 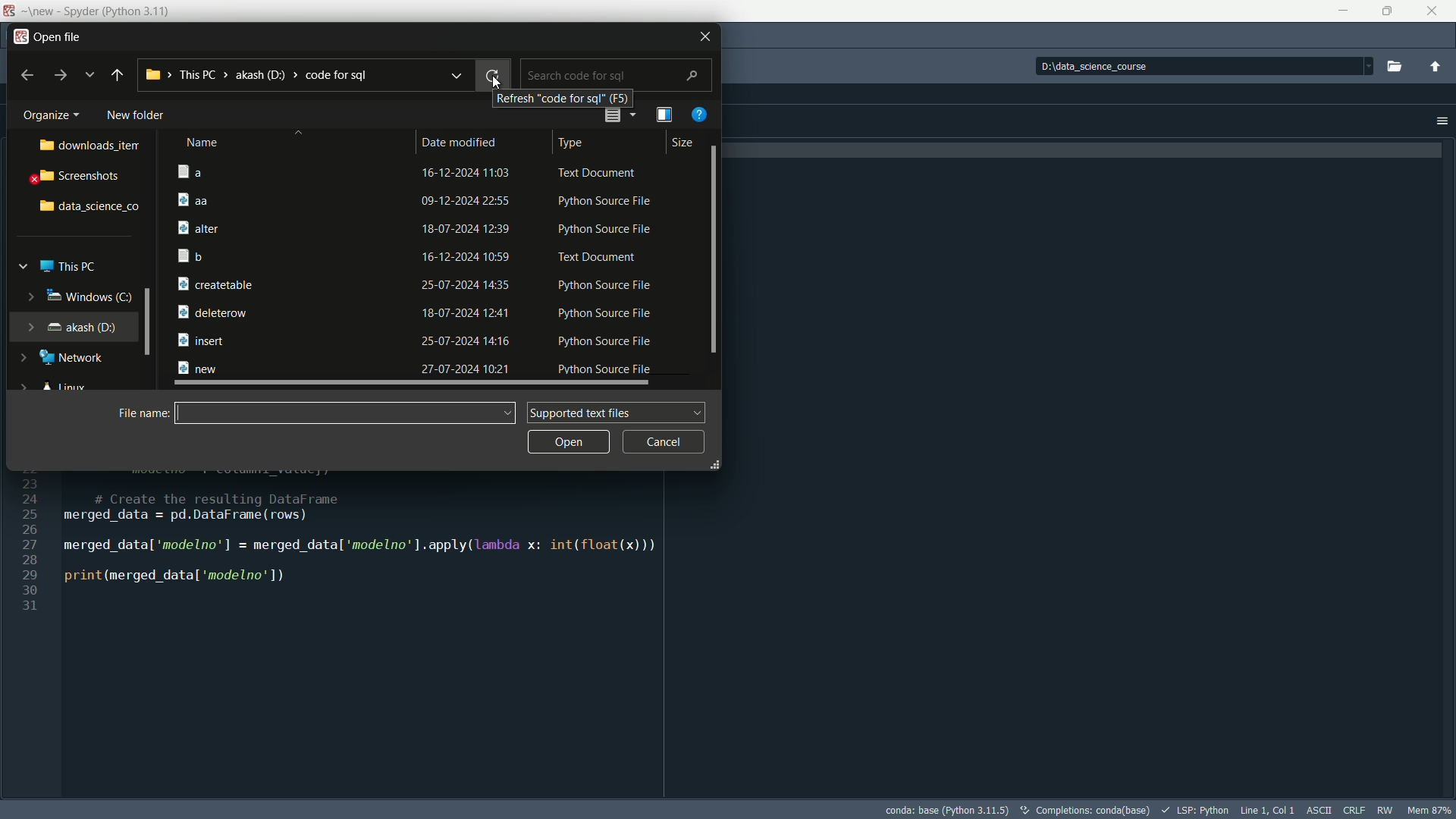 I want to click on refresh, so click(x=494, y=73).